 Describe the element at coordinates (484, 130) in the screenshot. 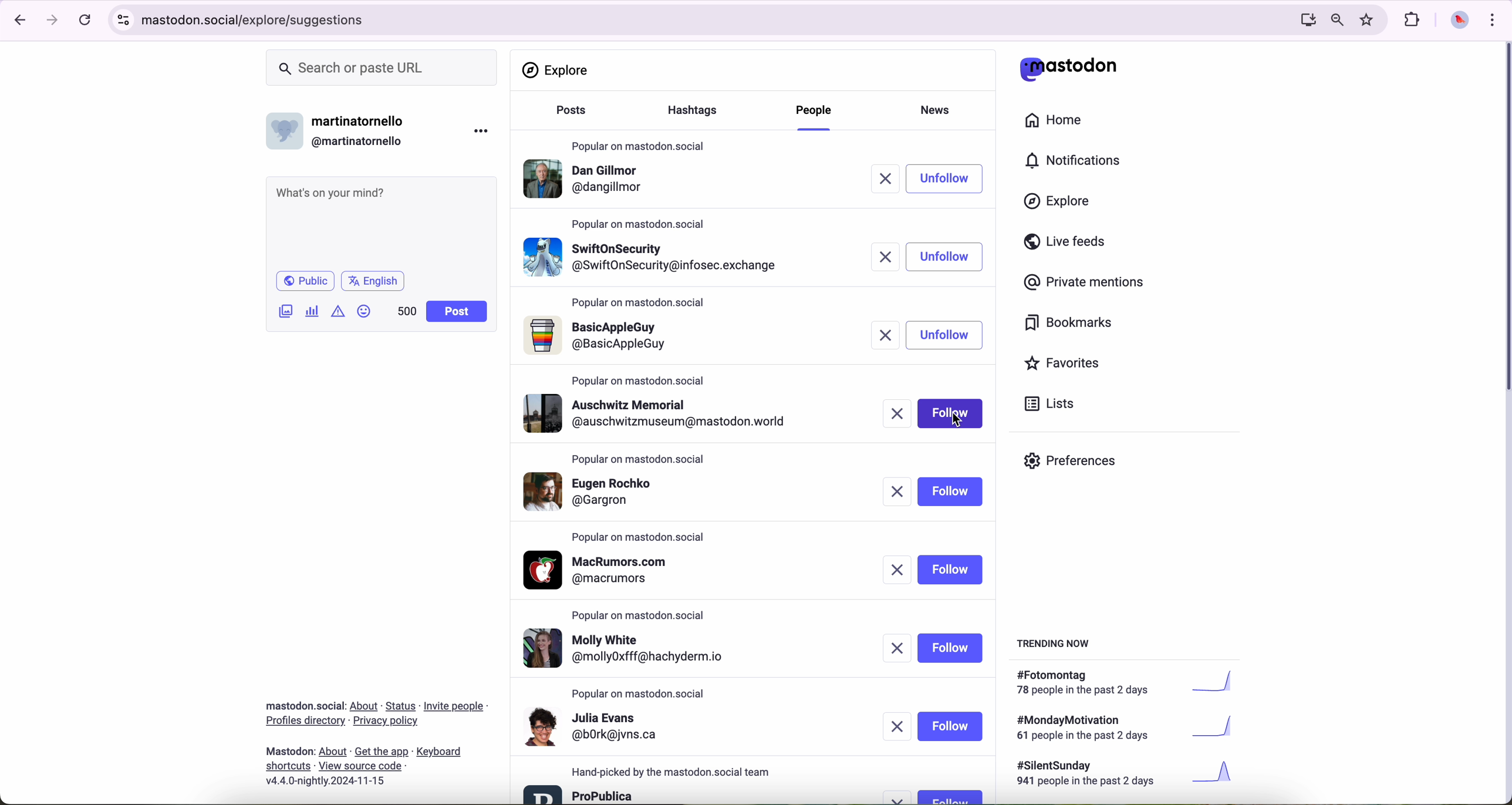

I see `more options` at that location.